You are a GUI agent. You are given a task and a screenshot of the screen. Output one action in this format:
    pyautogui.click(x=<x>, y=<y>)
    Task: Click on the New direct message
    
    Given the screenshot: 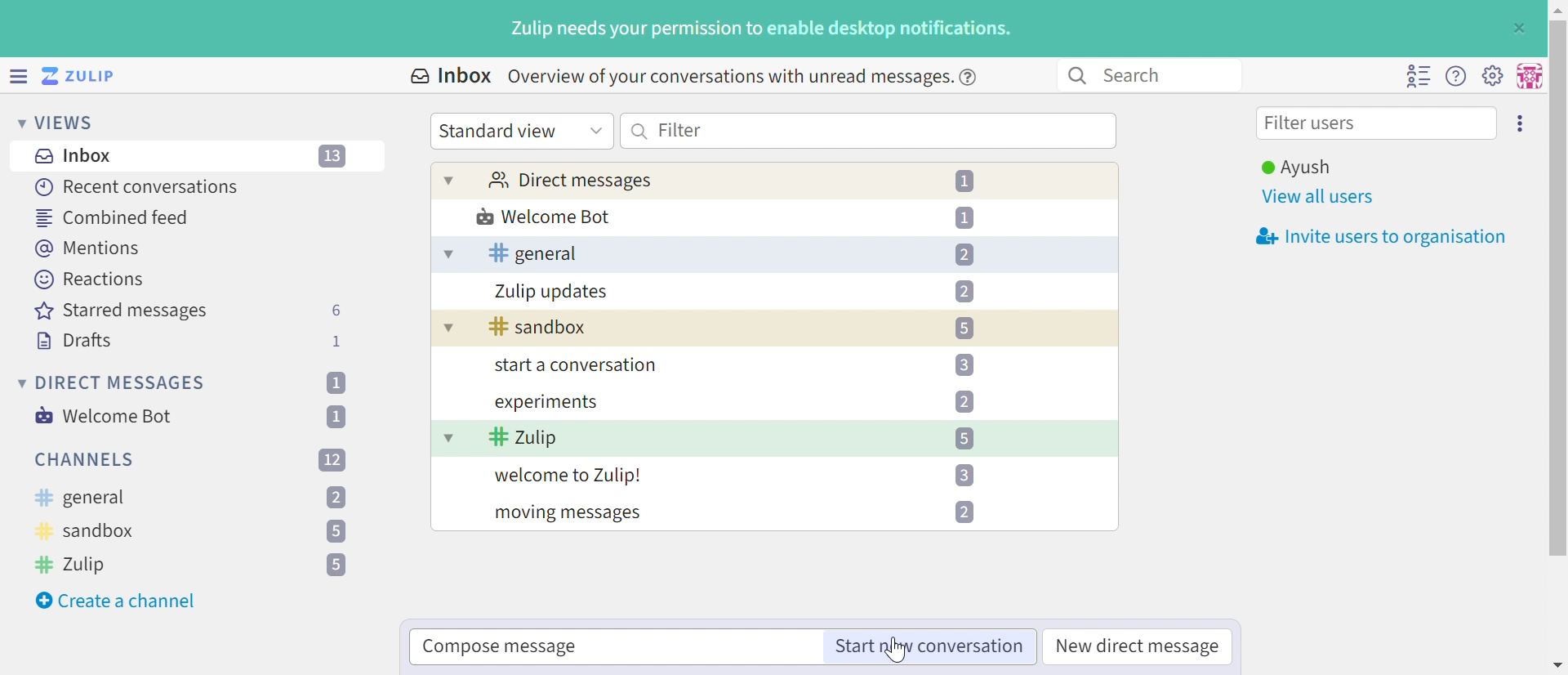 What is the action you would take?
    pyautogui.click(x=1138, y=647)
    